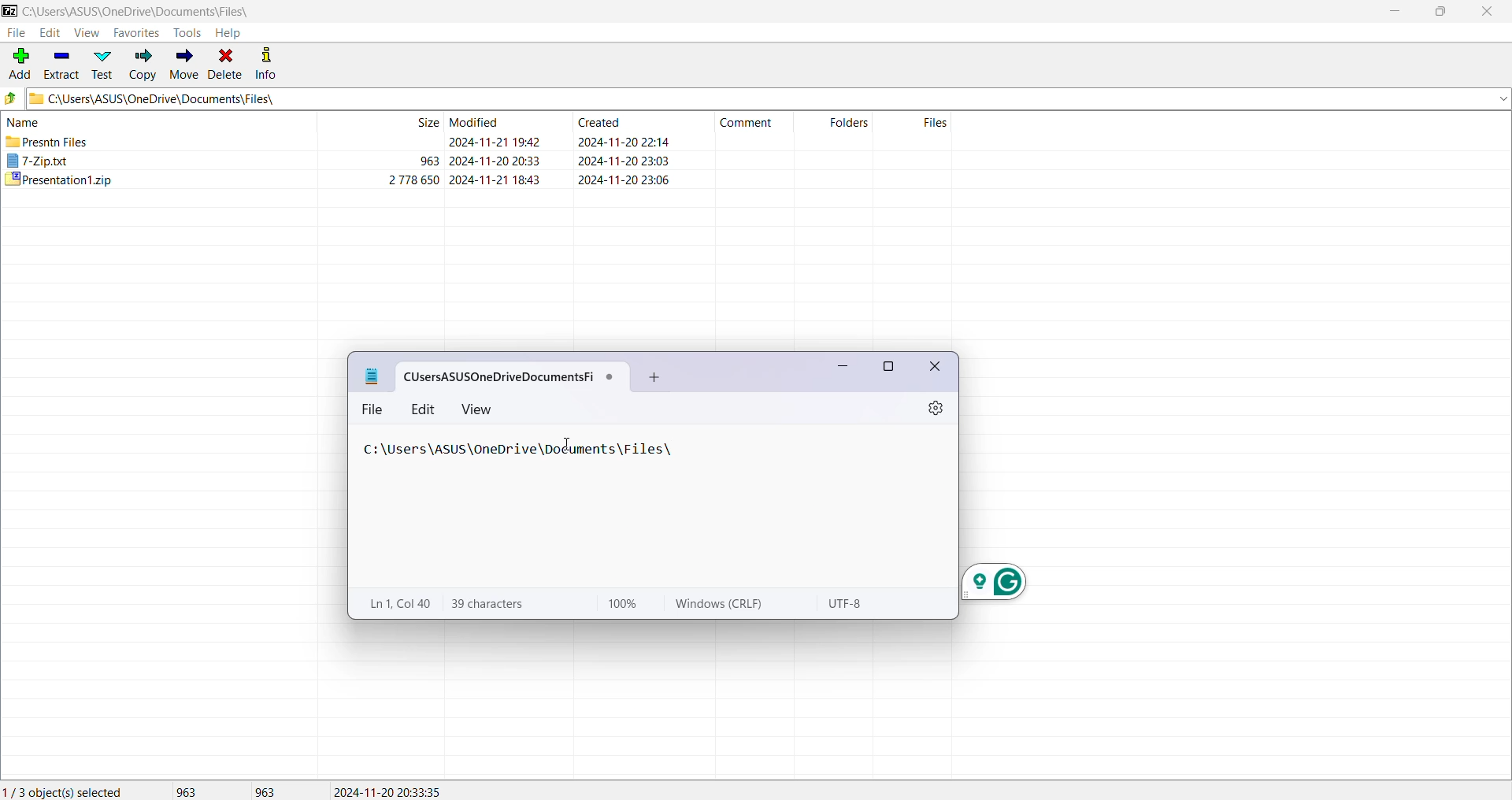  Describe the element at coordinates (567, 443) in the screenshot. I see `cursor` at that location.